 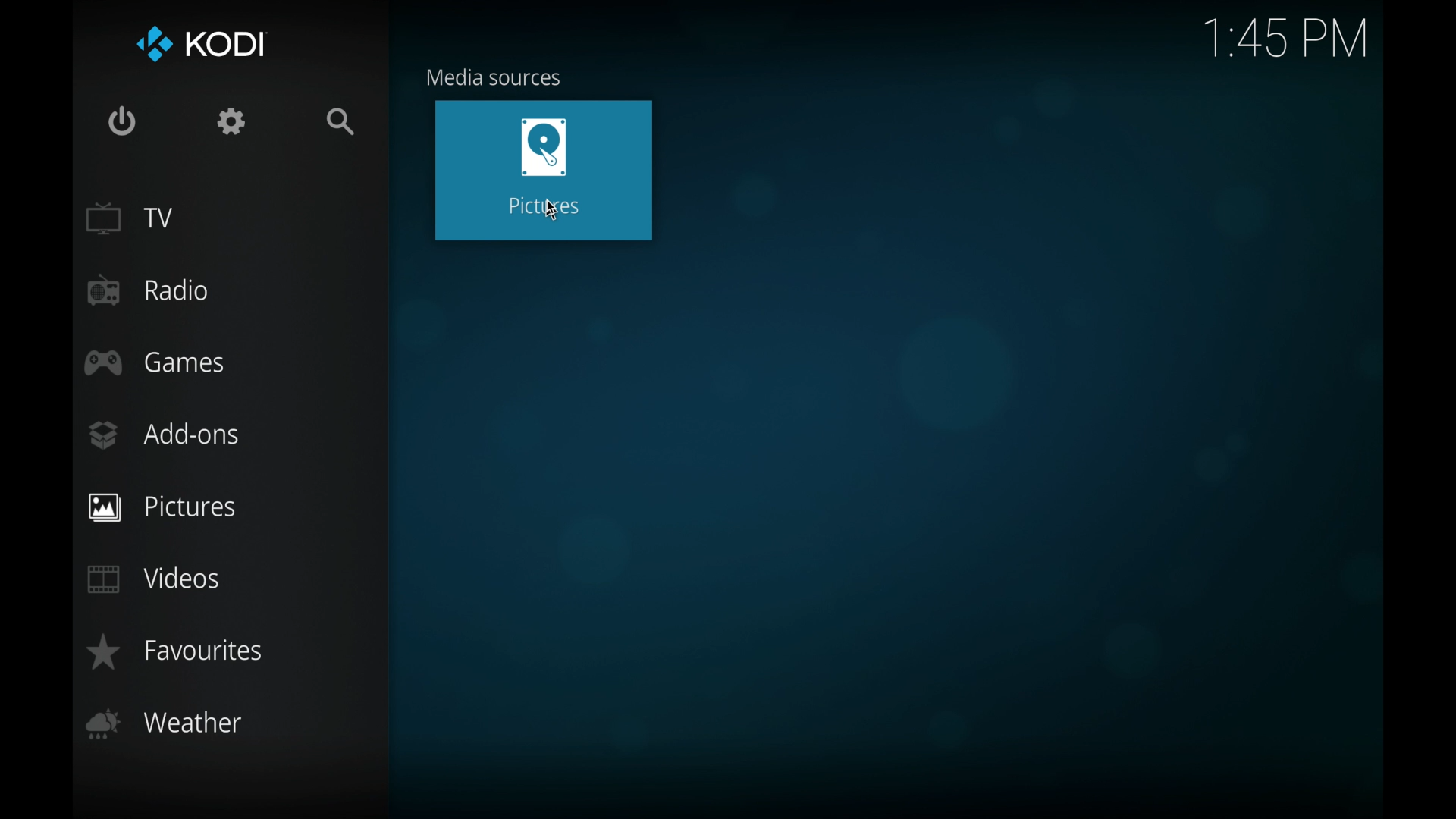 What do you see at coordinates (154, 362) in the screenshot?
I see `games` at bounding box center [154, 362].